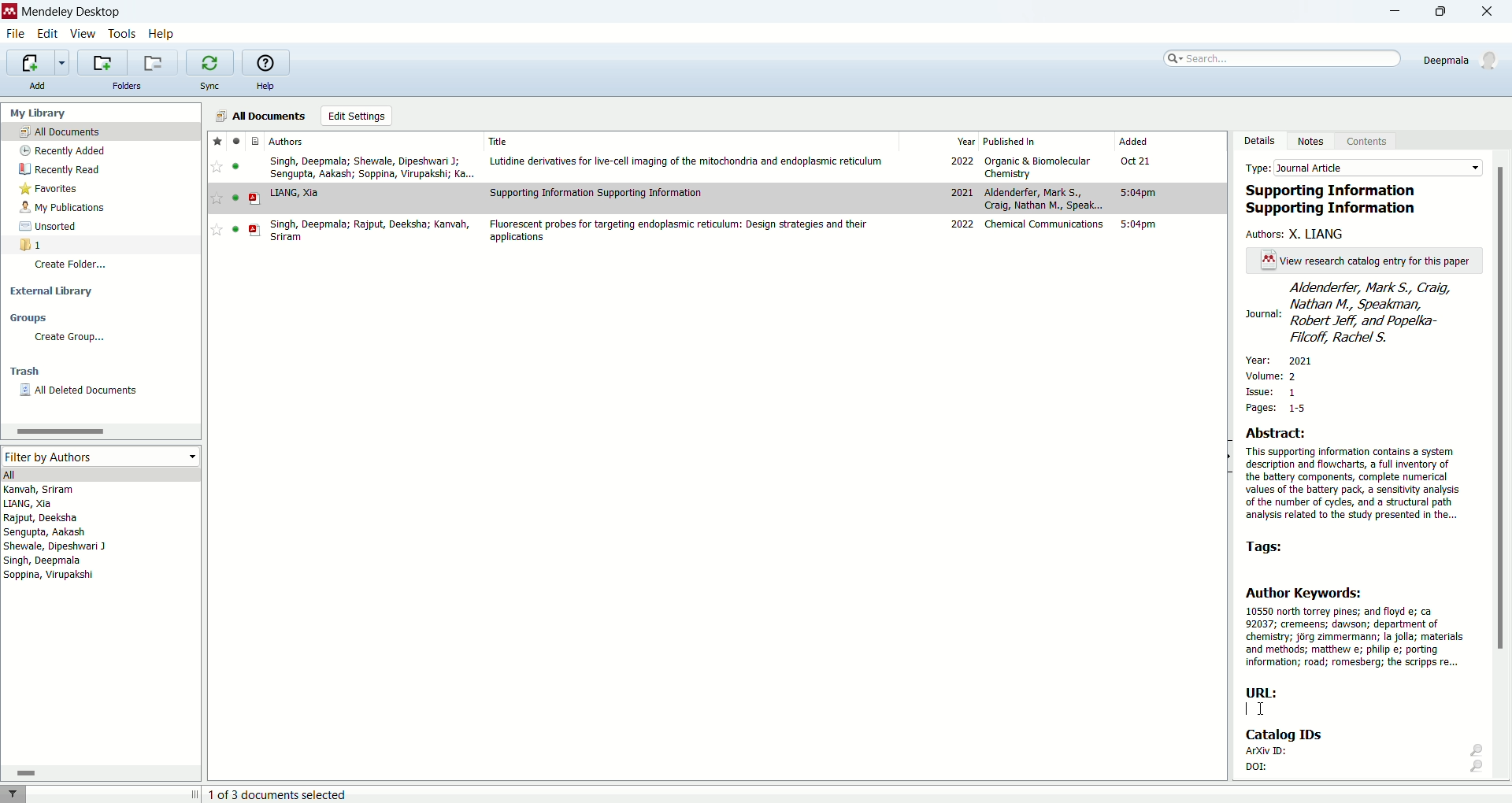 The height and width of the screenshot is (803, 1512). What do you see at coordinates (1395, 11) in the screenshot?
I see `minimize` at bounding box center [1395, 11].